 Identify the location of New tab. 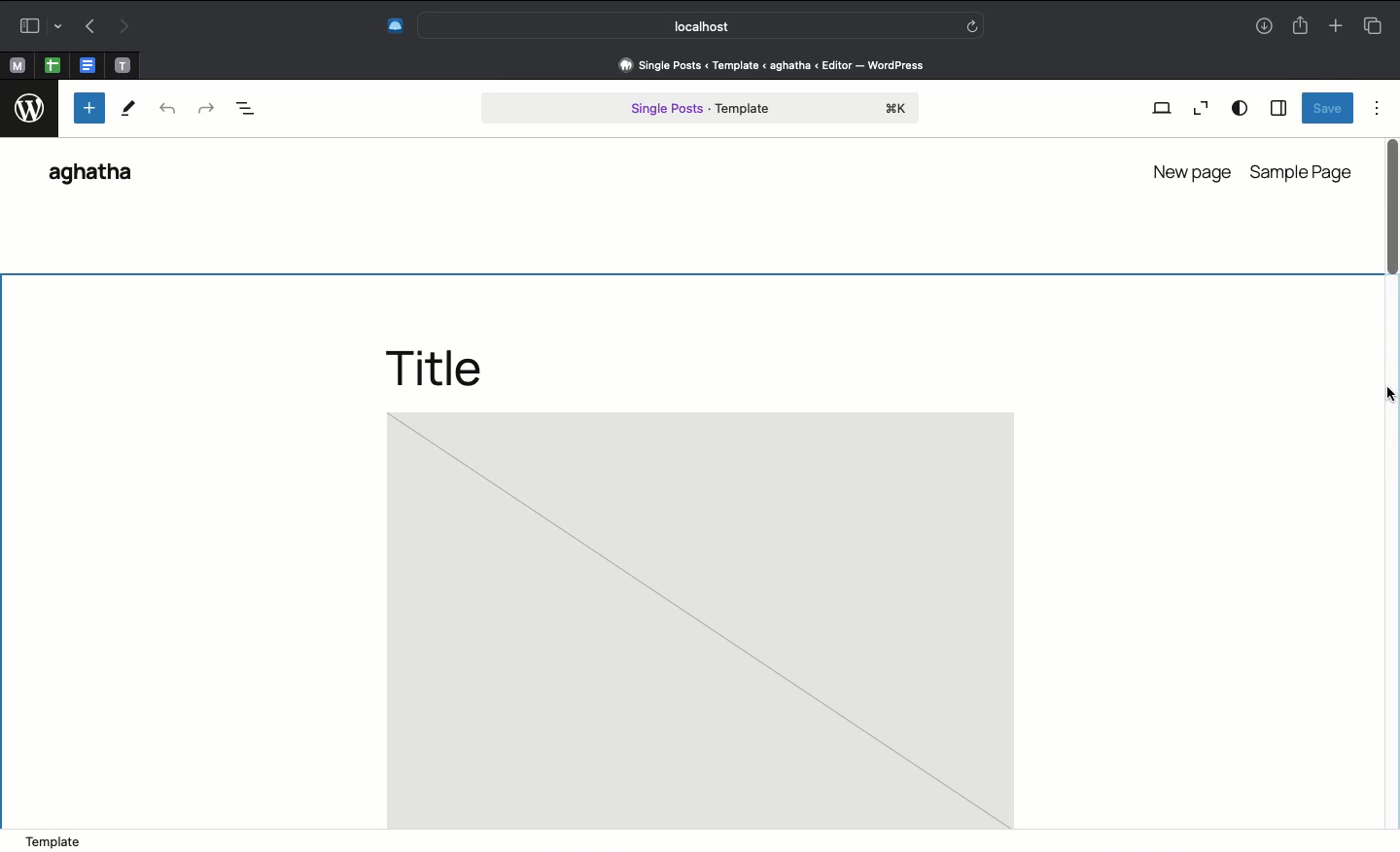
(1336, 27).